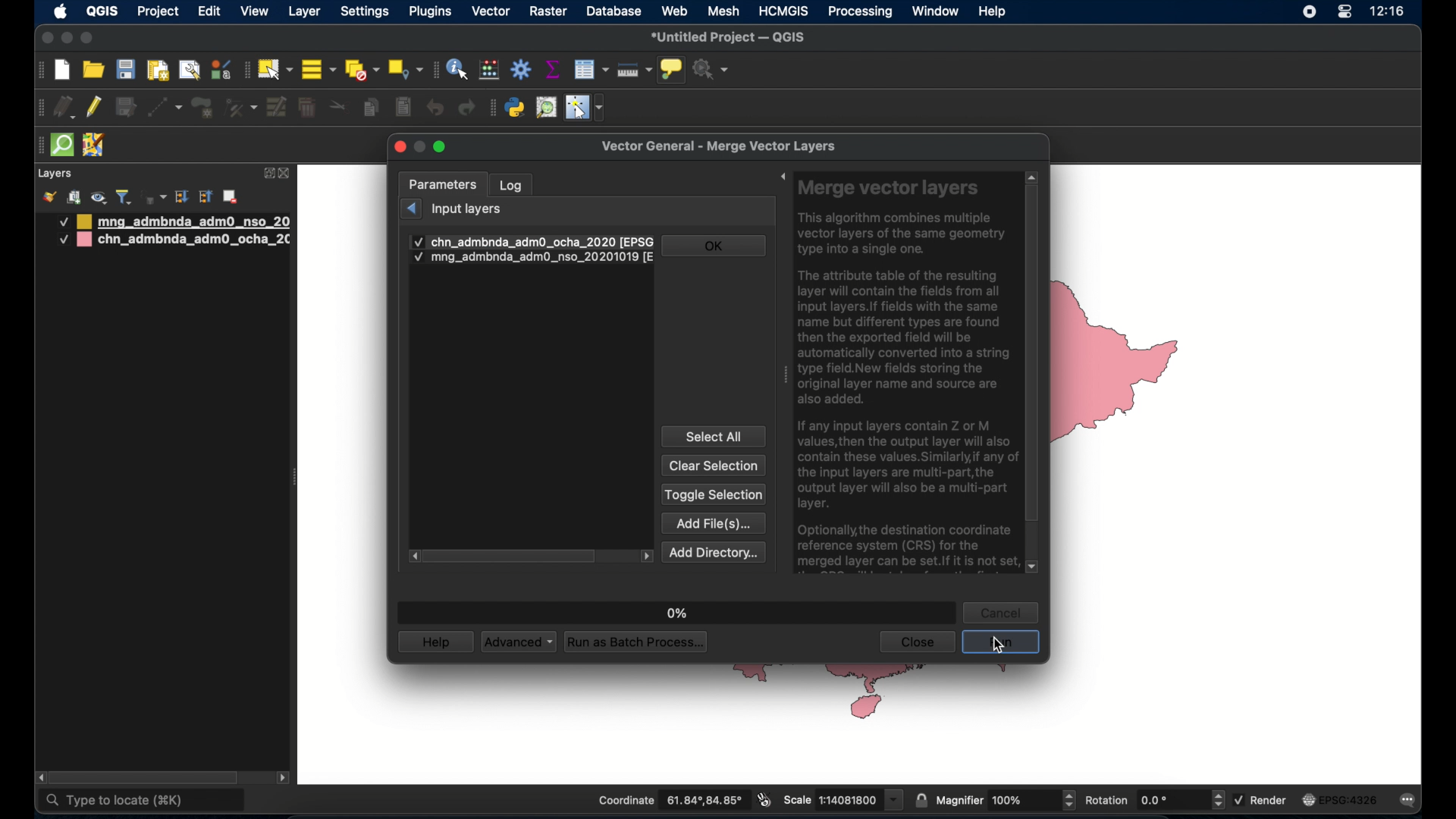 The height and width of the screenshot is (819, 1456). Describe the element at coordinates (255, 13) in the screenshot. I see `view` at that location.